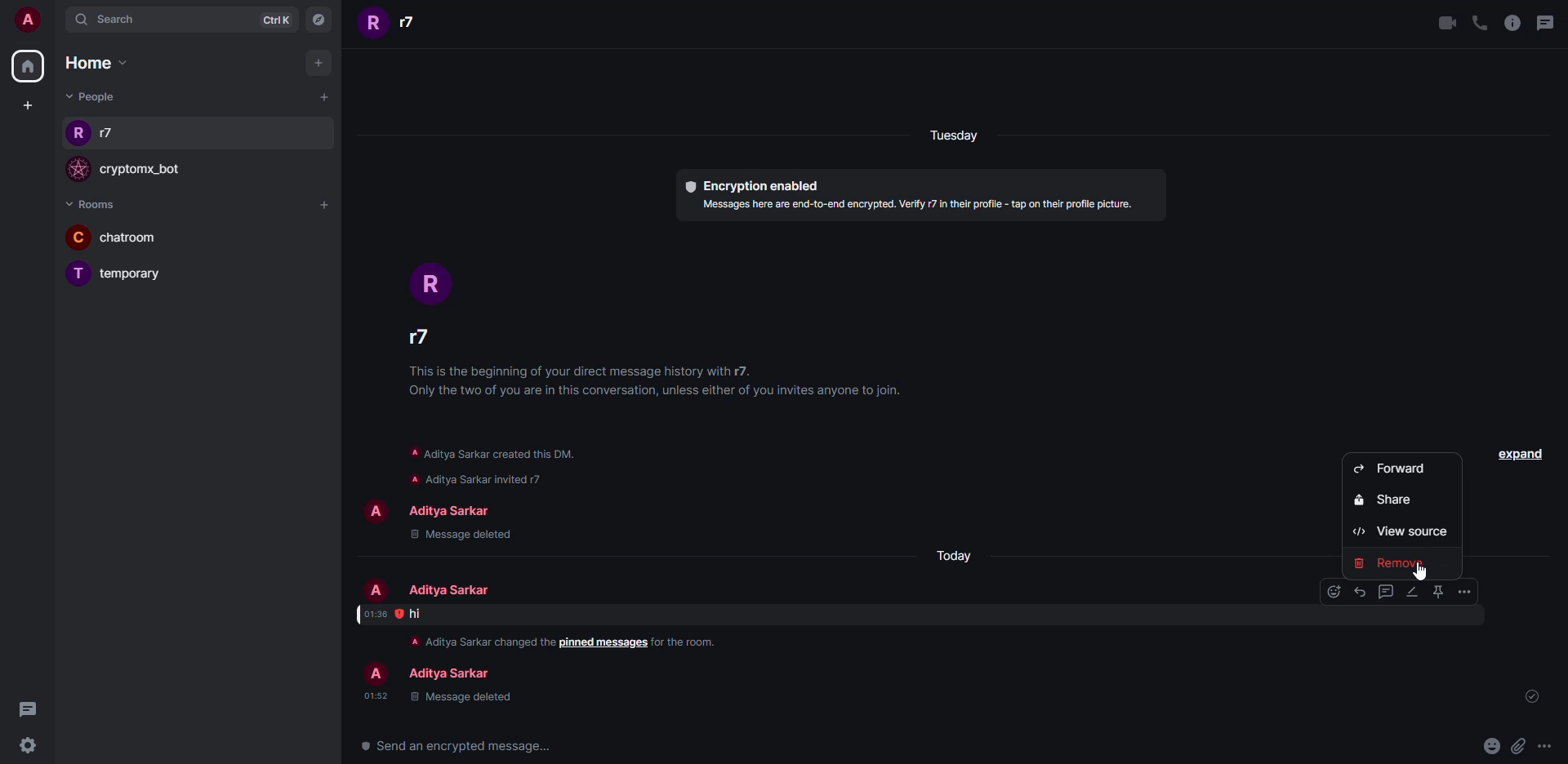 The height and width of the screenshot is (764, 1568). What do you see at coordinates (136, 238) in the screenshot?
I see `room` at bounding box center [136, 238].